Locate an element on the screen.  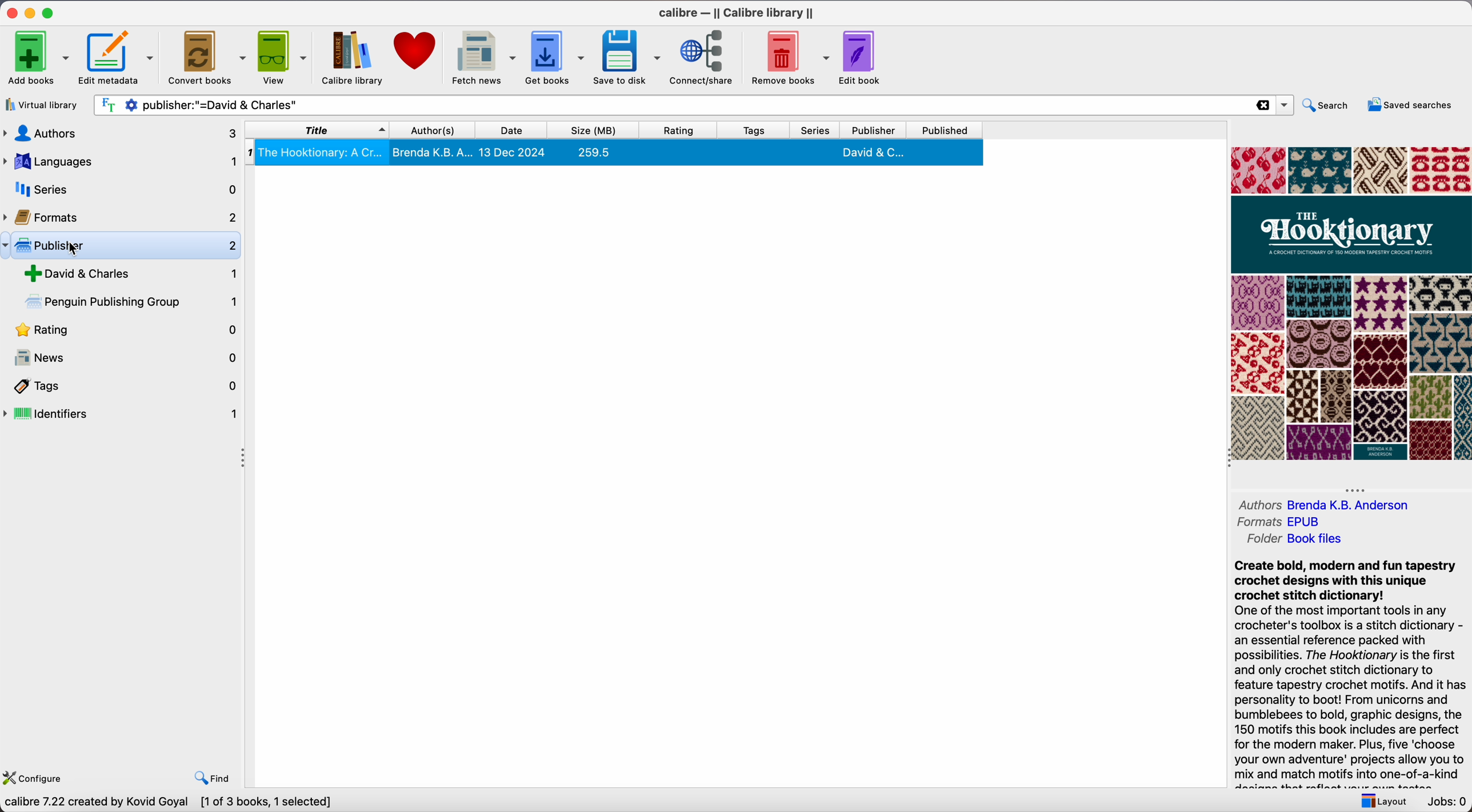
series is located at coordinates (119, 189).